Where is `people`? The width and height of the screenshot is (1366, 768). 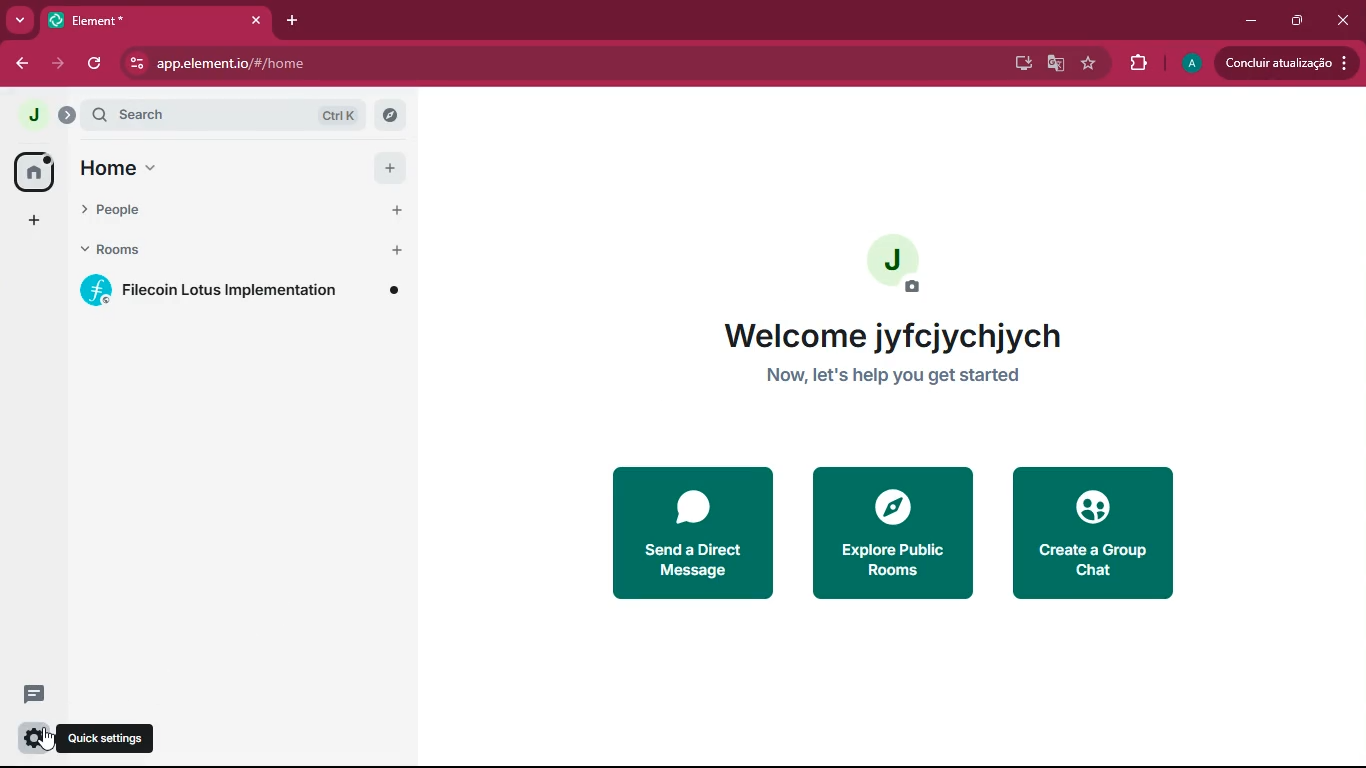
people is located at coordinates (207, 210).